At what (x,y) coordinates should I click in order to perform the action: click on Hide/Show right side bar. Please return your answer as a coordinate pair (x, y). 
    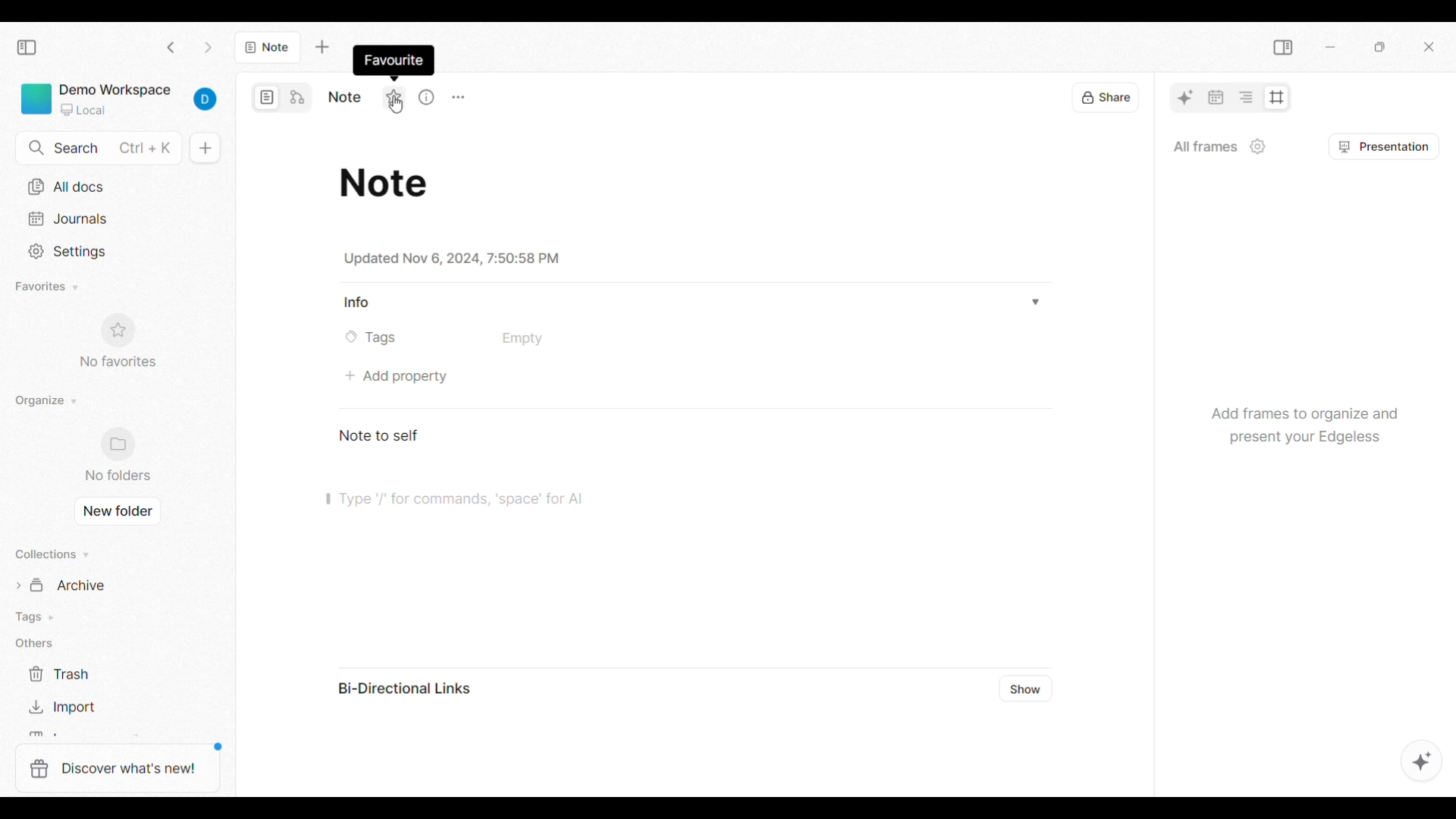
    Looking at the image, I should click on (1283, 48).